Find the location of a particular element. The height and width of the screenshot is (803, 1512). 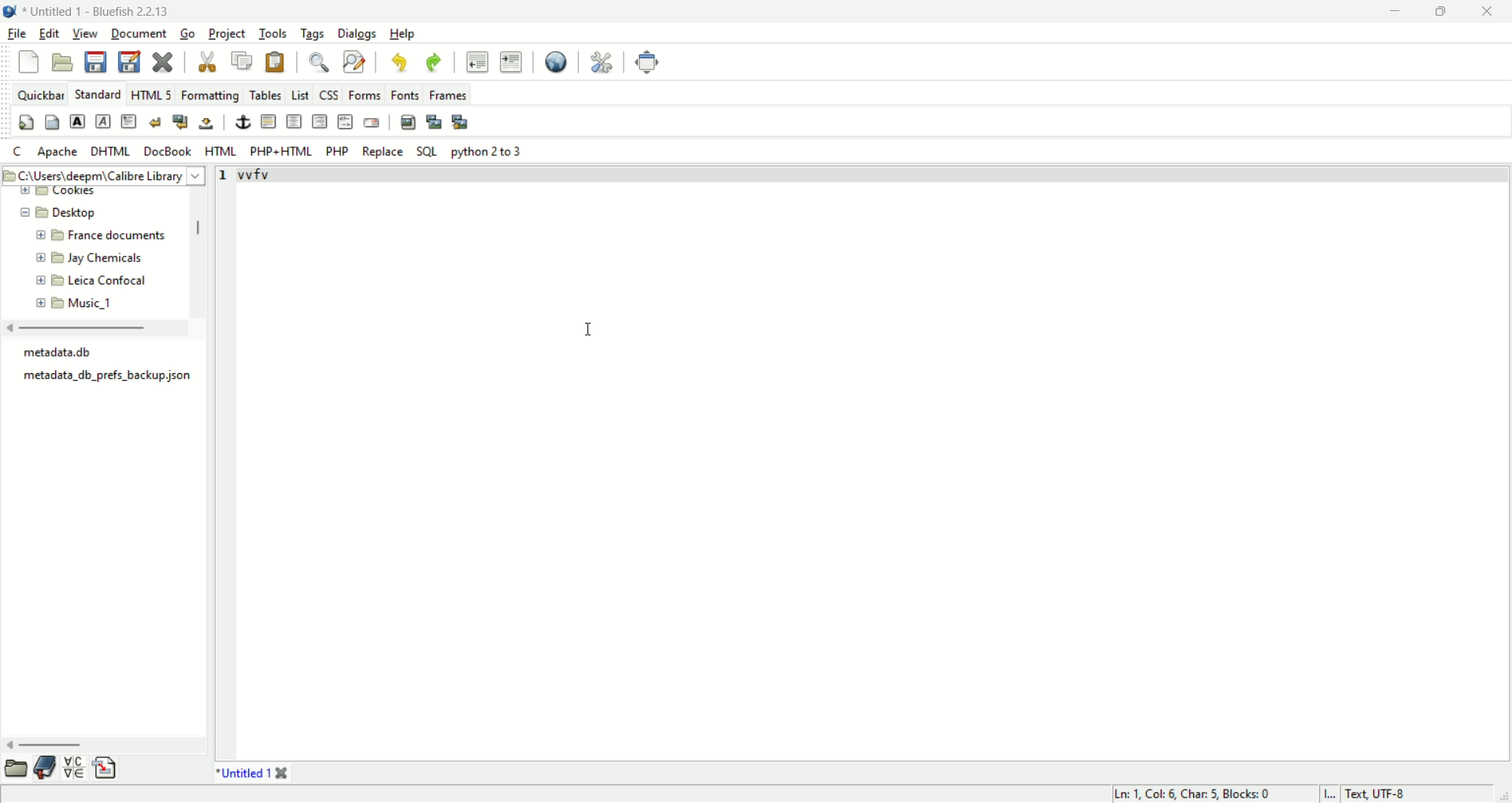

formatting is located at coordinates (210, 93).